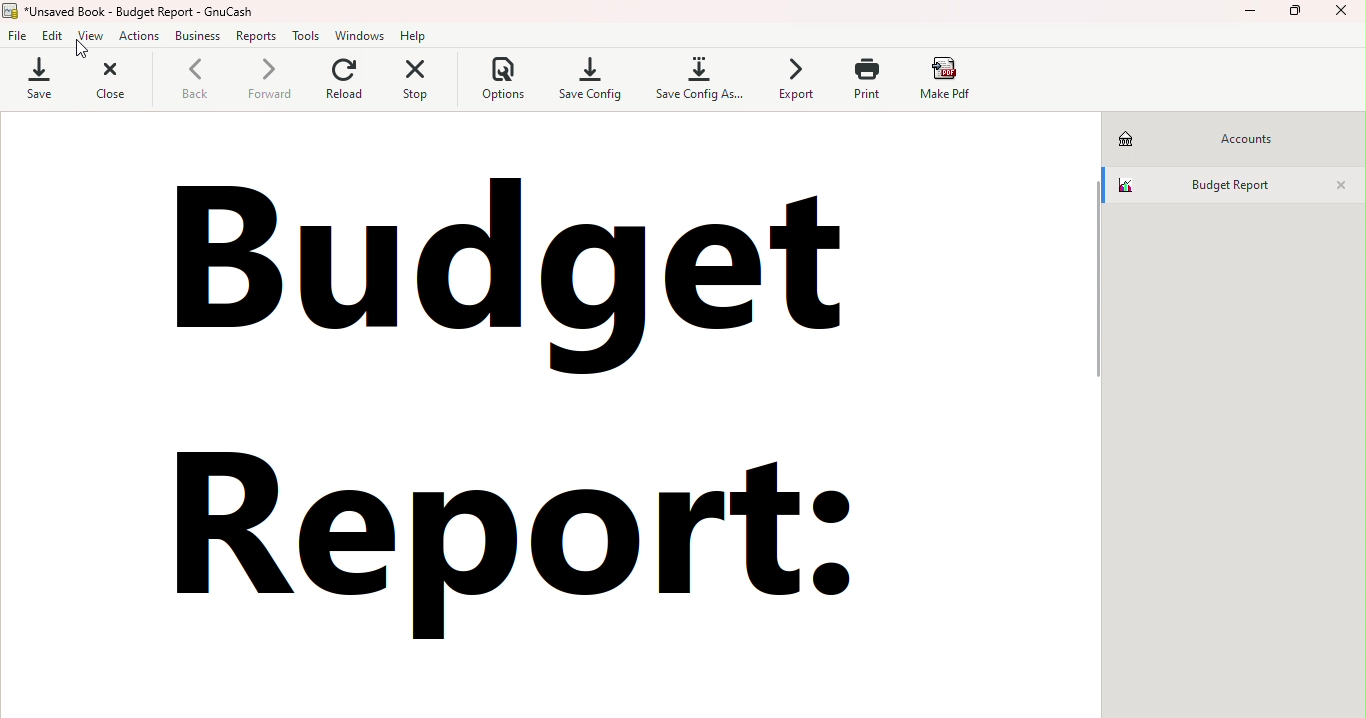 This screenshot has height=718, width=1366. What do you see at coordinates (497, 408) in the screenshot?
I see `Budget report` at bounding box center [497, 408].